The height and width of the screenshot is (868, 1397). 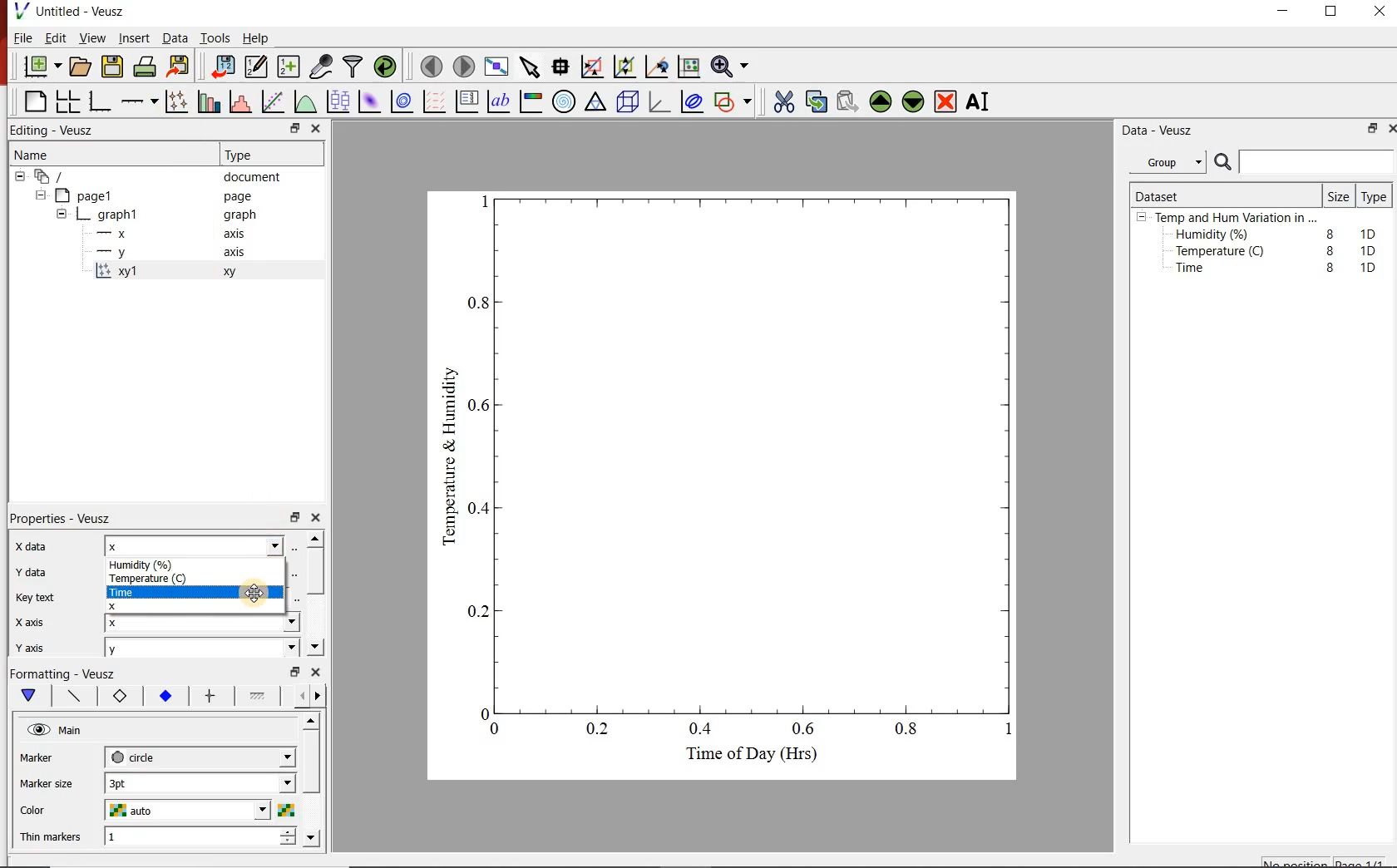 What do you see at coordinates (82, 732) in the screenshot?
I see `Main` at bounding box center [82, 732].